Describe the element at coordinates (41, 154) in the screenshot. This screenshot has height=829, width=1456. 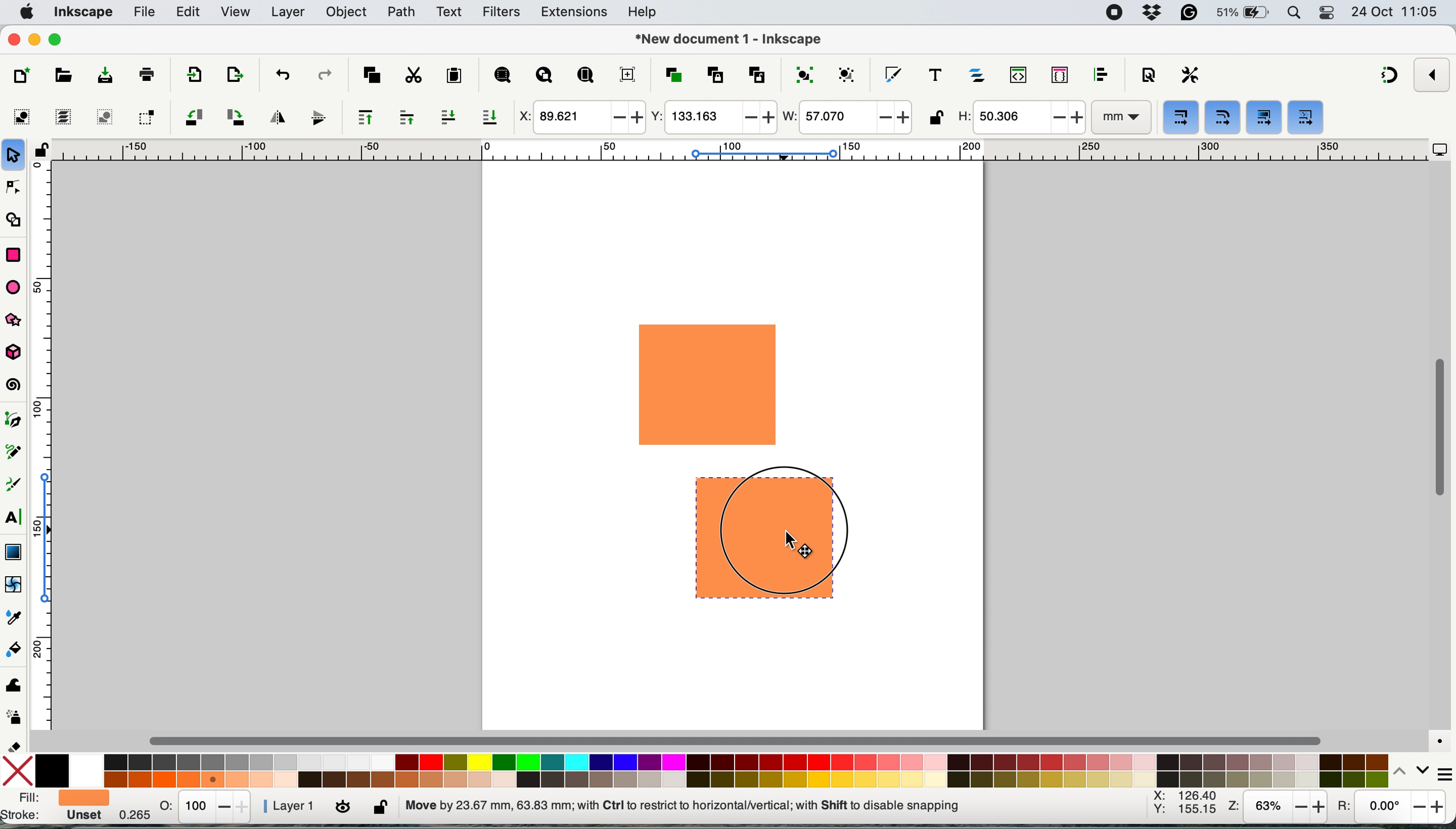
I see `lock` at that location.